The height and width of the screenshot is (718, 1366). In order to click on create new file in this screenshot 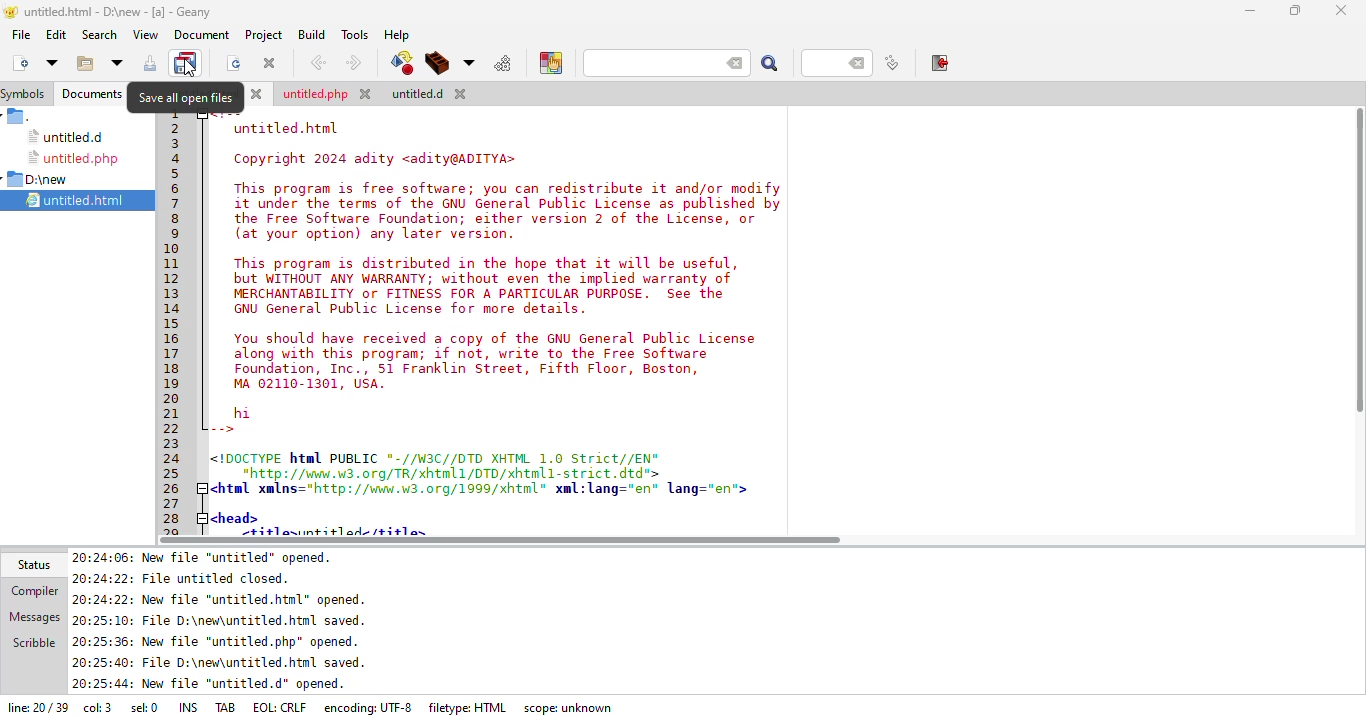, I will do `click(51, 63)`.